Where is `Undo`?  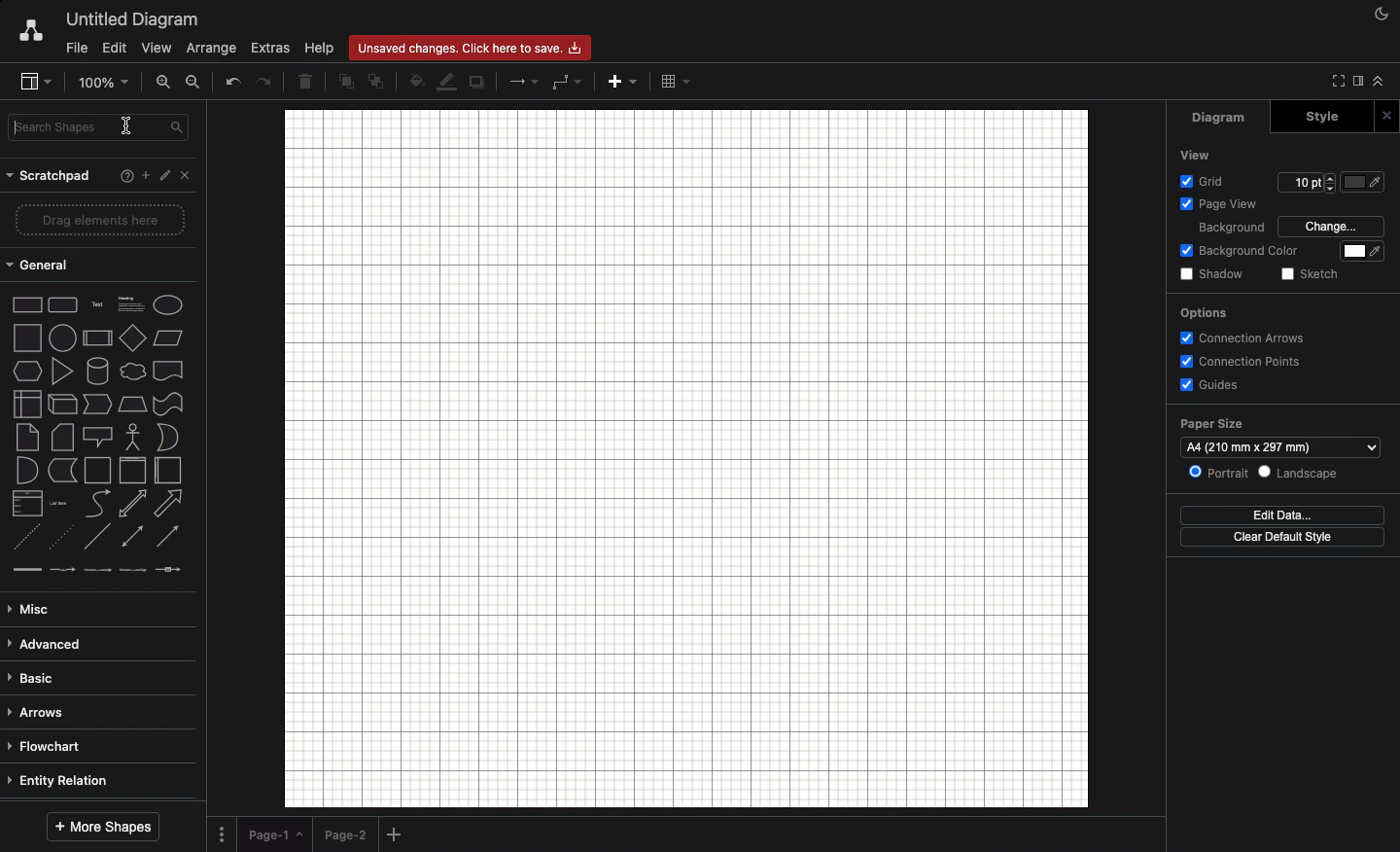 Undo is located at coordinates (232, 83).